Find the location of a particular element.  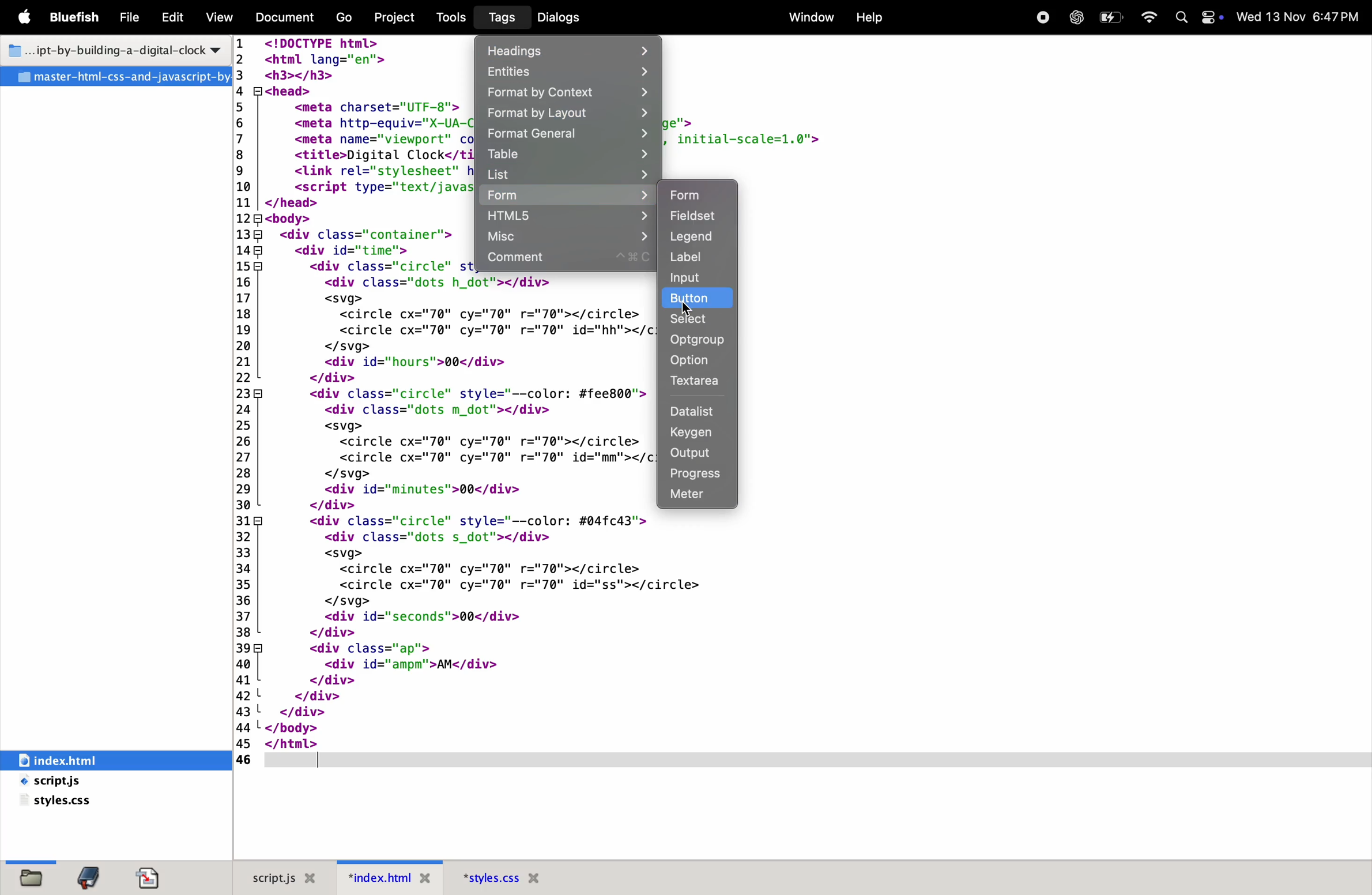

progress is located at coordinates (700, 475).